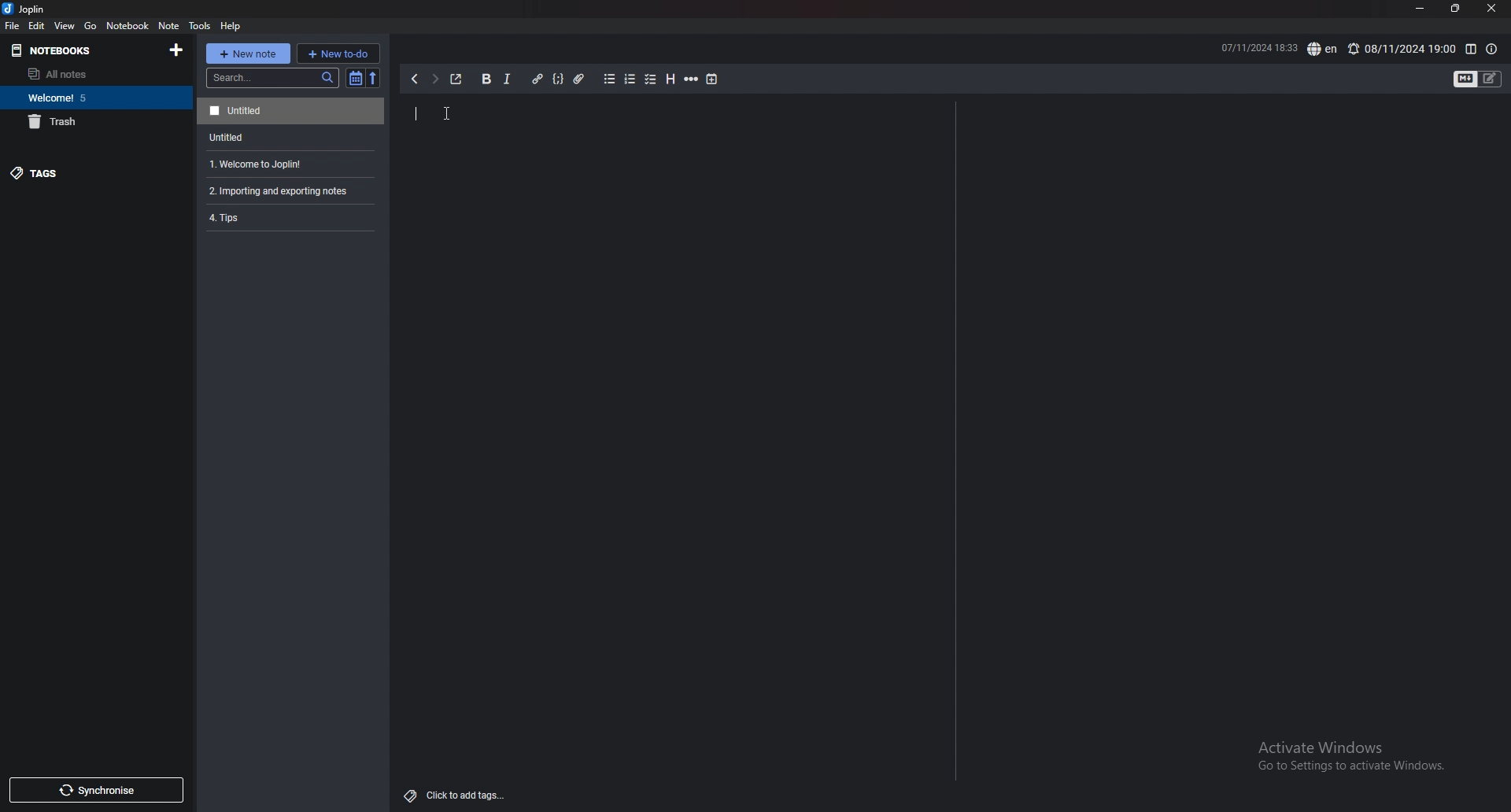 The image size is (1511, 812). What do you see at coordinates (413, 79) in the screenshot?
I see `previous` at bounding box center [413, 79].